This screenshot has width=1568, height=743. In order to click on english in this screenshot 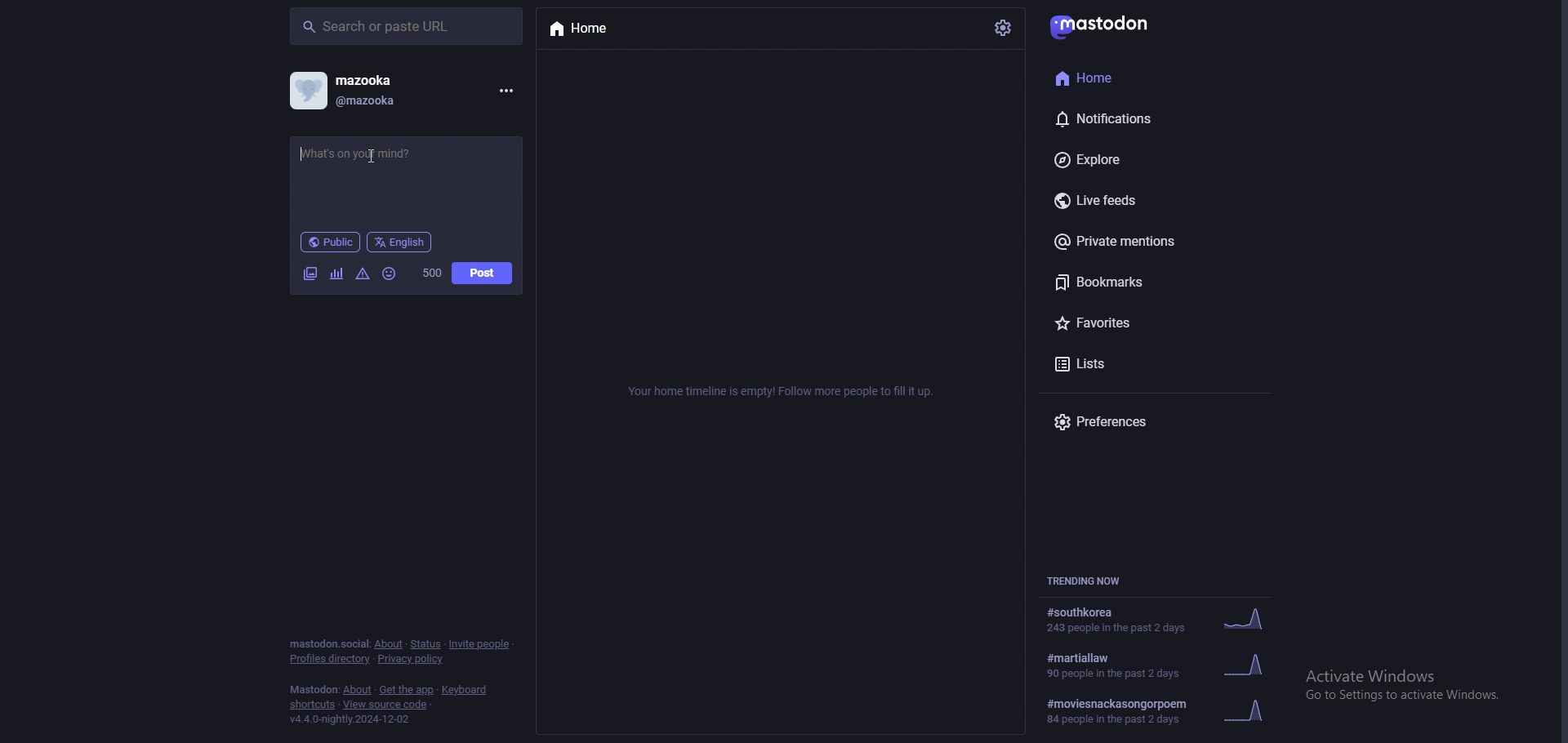, I will do `click(400, 242)`.